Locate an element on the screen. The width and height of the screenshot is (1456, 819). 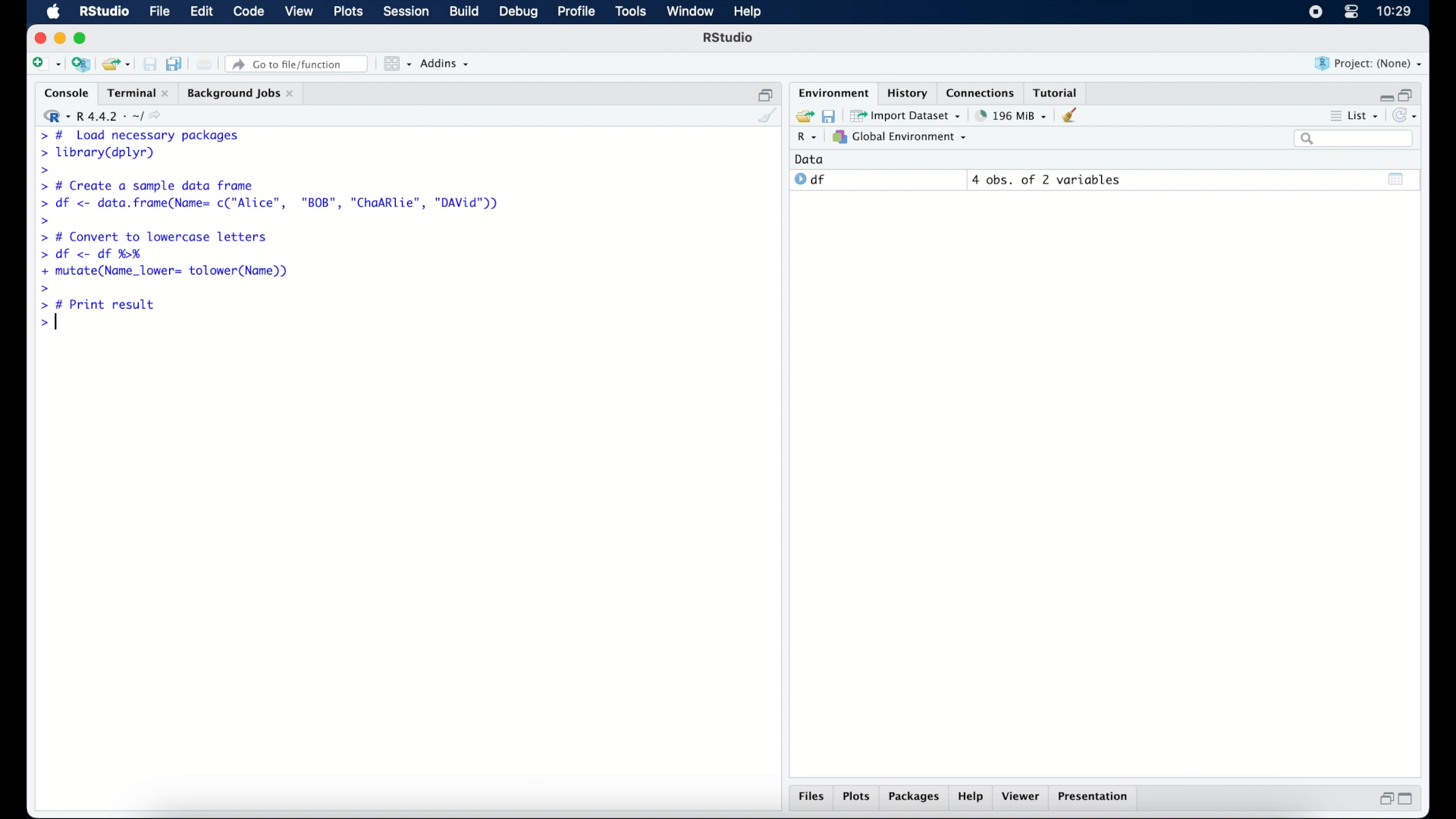
restore down is located at coordinates (766, 93).